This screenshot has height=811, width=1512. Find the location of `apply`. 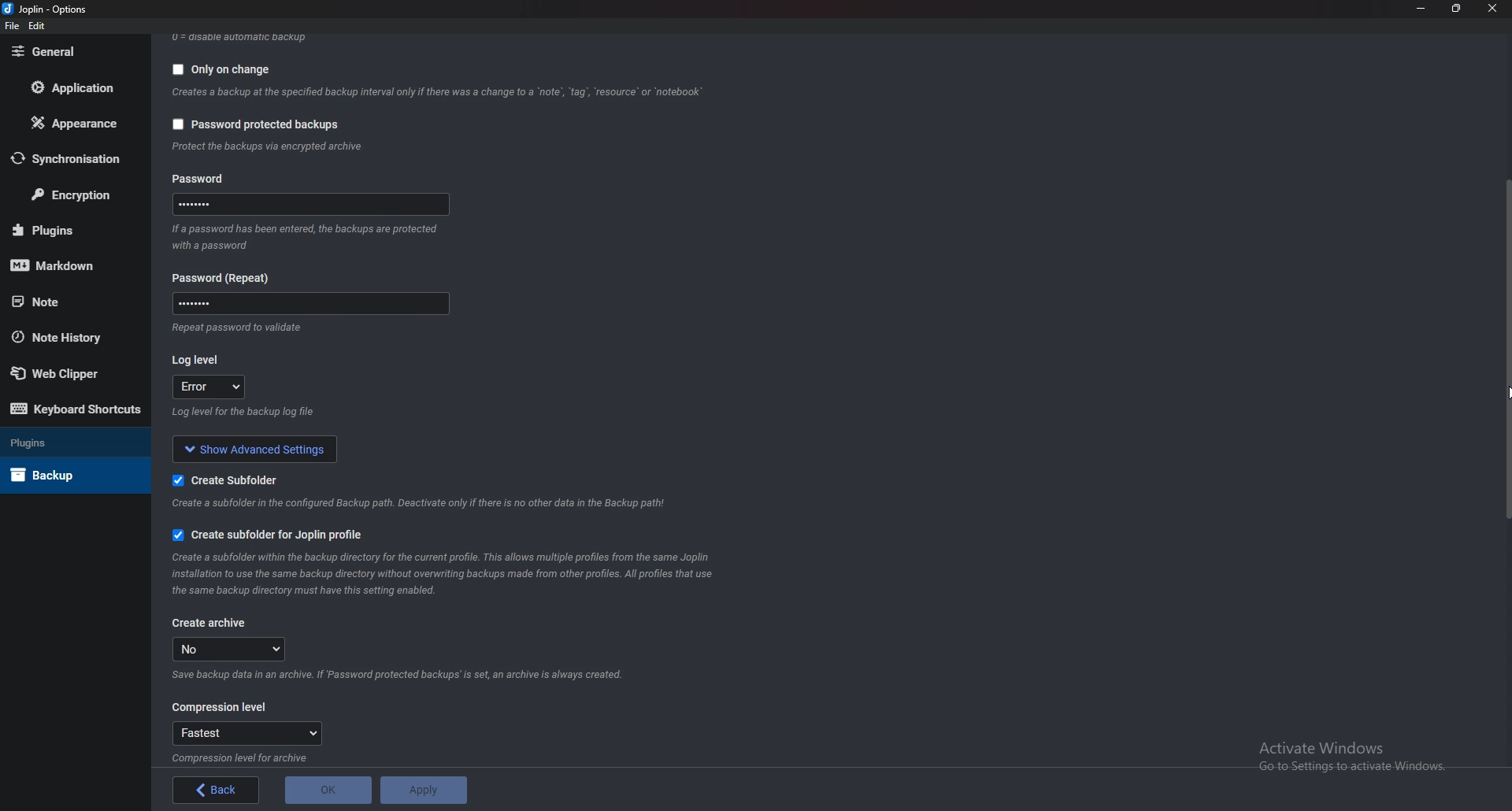

apply is located at coordinates (421, 791).